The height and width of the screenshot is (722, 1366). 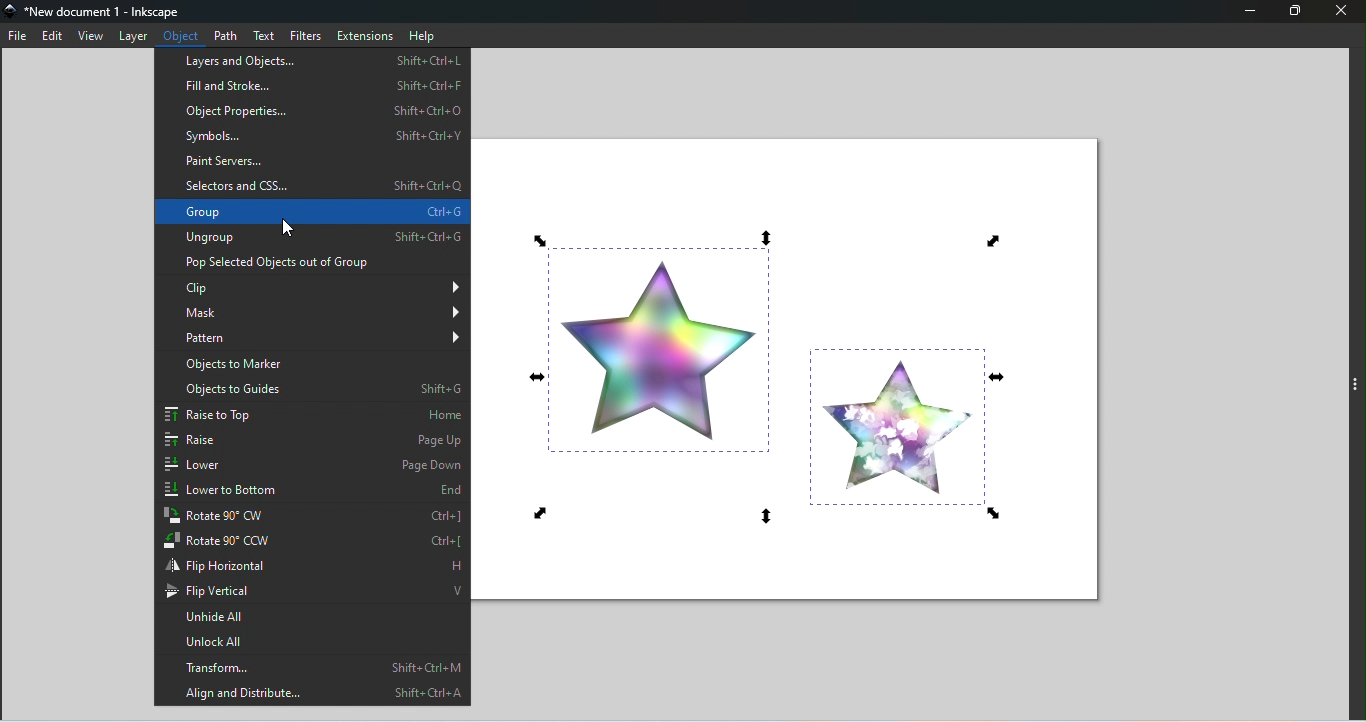 What do you see at coordinates (314, 488) in the screenshot?
I see `Lower to Bottom` at bounding box center [314, 488].